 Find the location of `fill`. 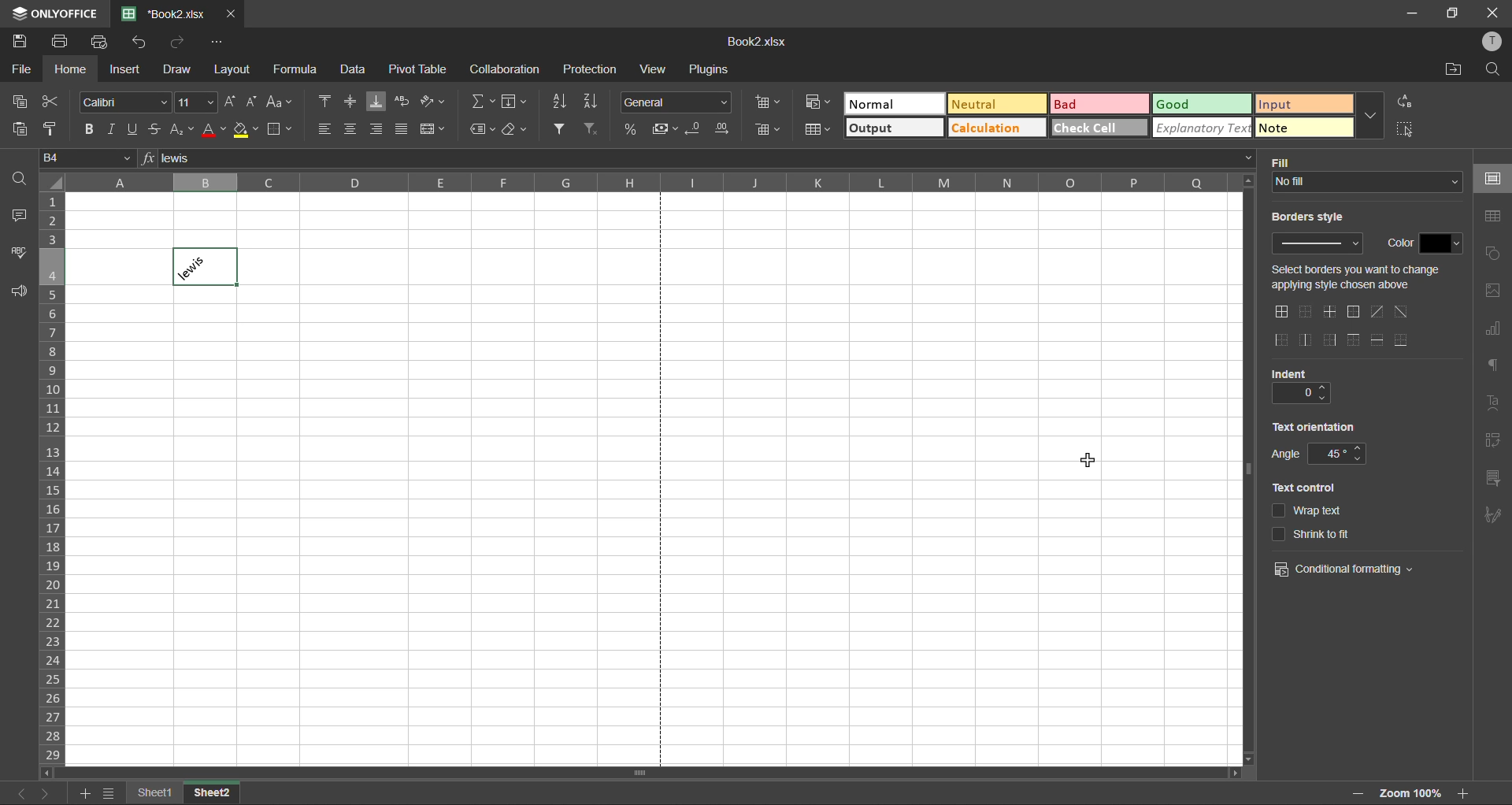

fill is located at coordinates (1284, 158).